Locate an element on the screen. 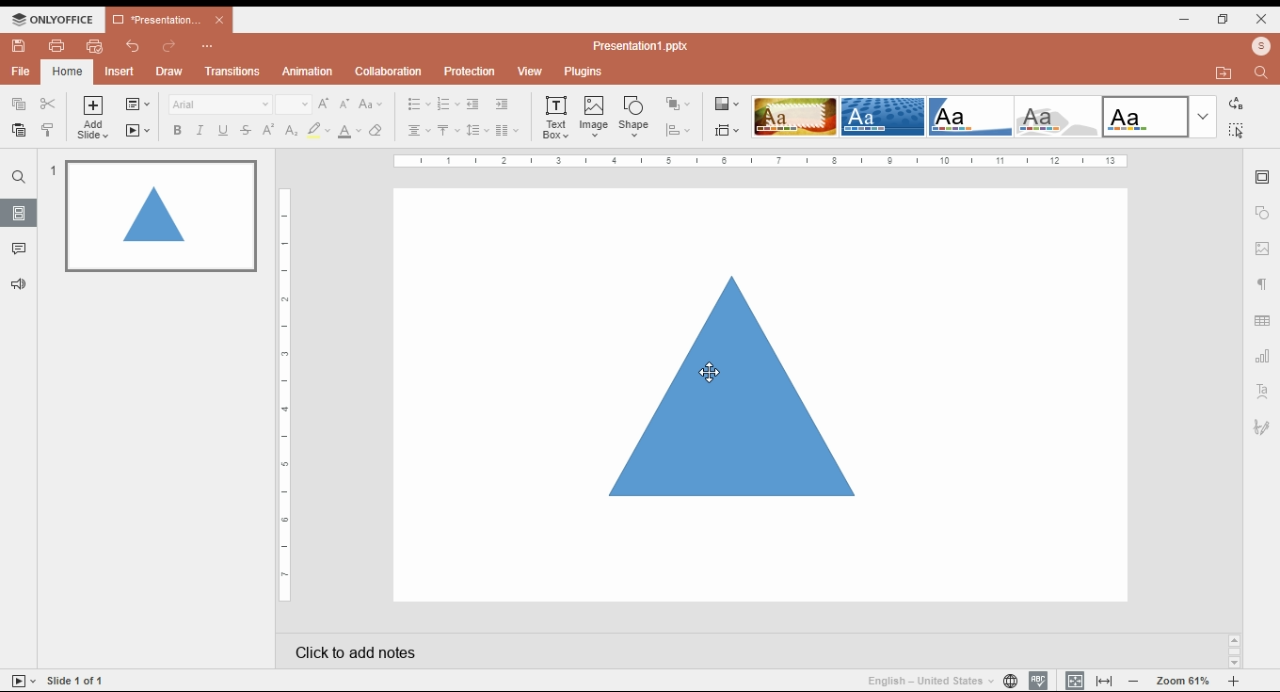 Image resolution: width=1280 pixels, height=692 pixels. chart setting is located at coordinates (1263, 354).